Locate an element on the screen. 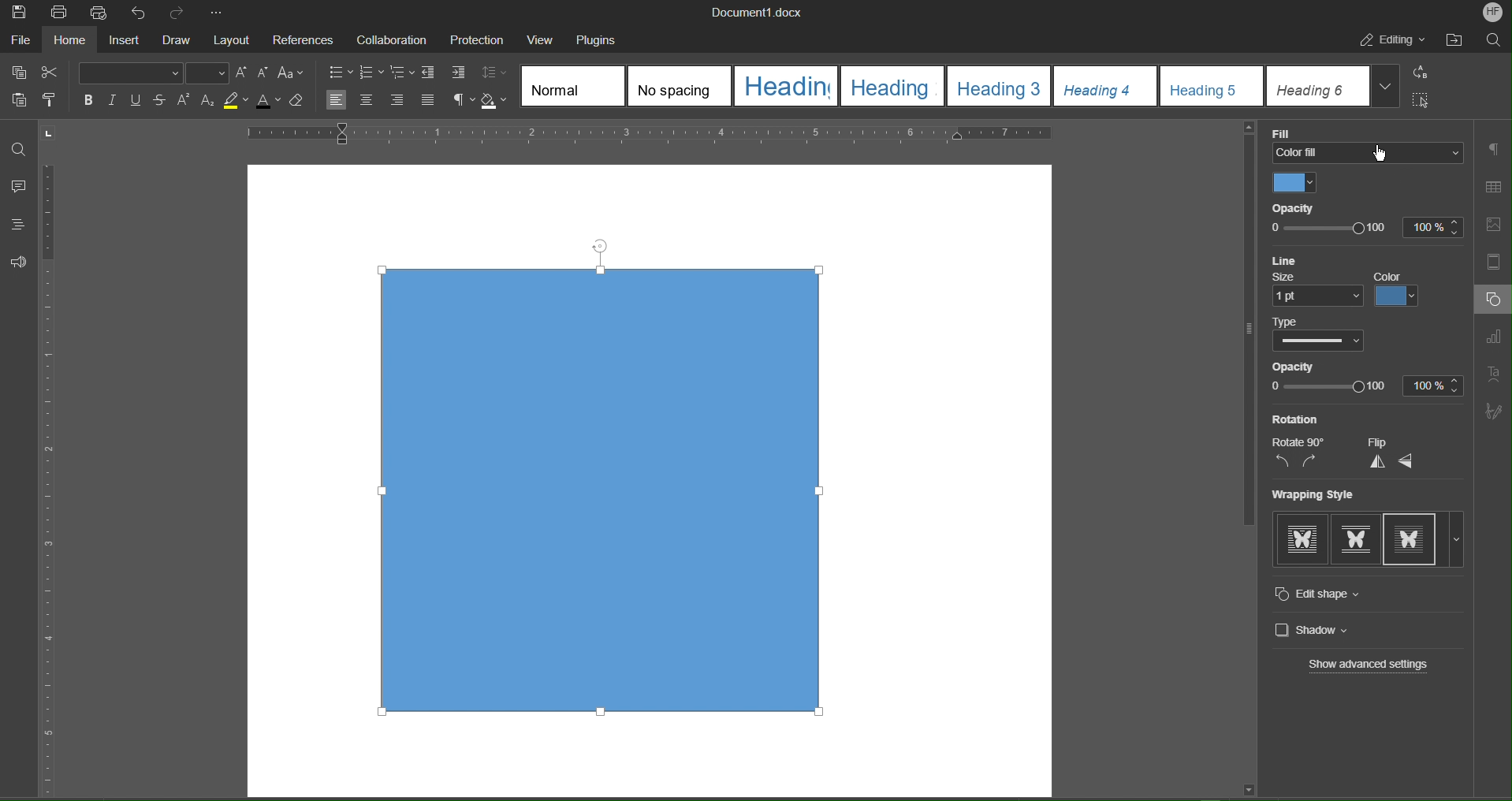 Image resolution: width=1512 pixels, height=801 pixels. Insert Image is located at coordinates (1498, 225).